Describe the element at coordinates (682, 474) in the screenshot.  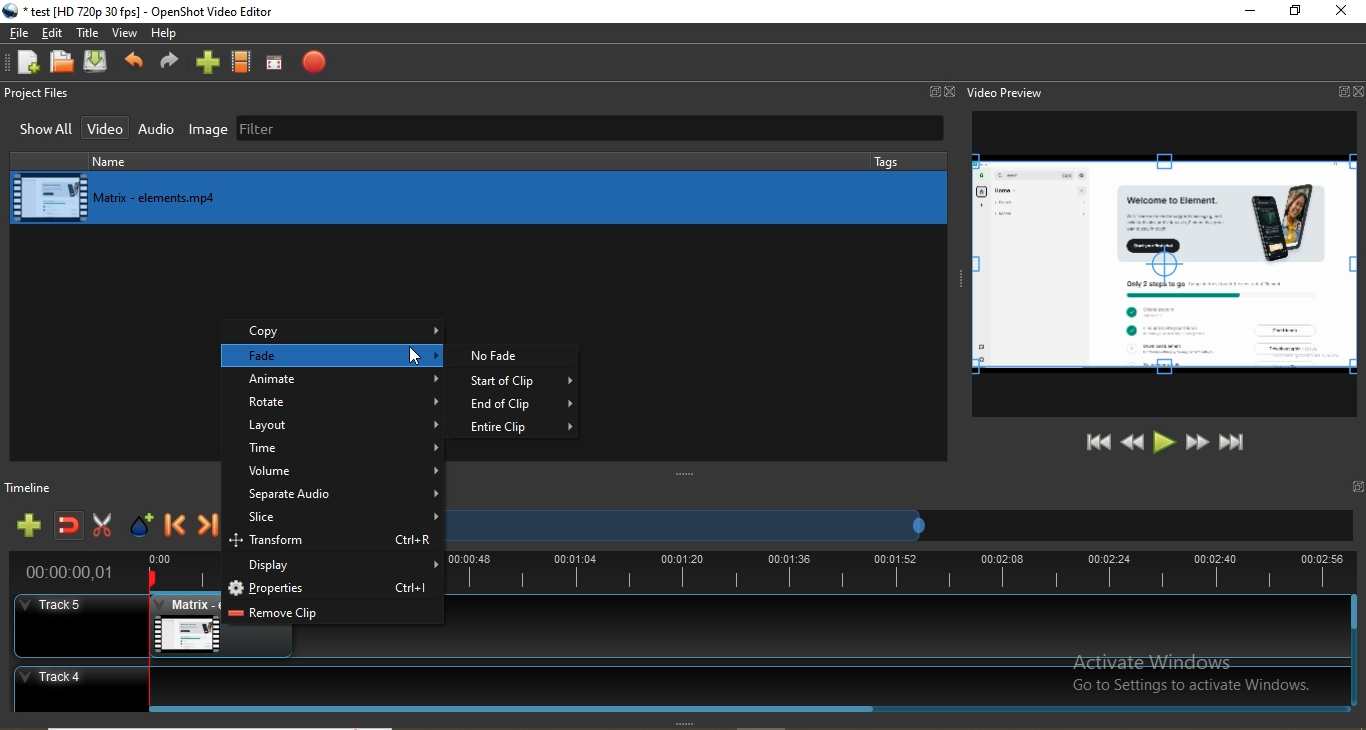
I see `adjust window` at that location.